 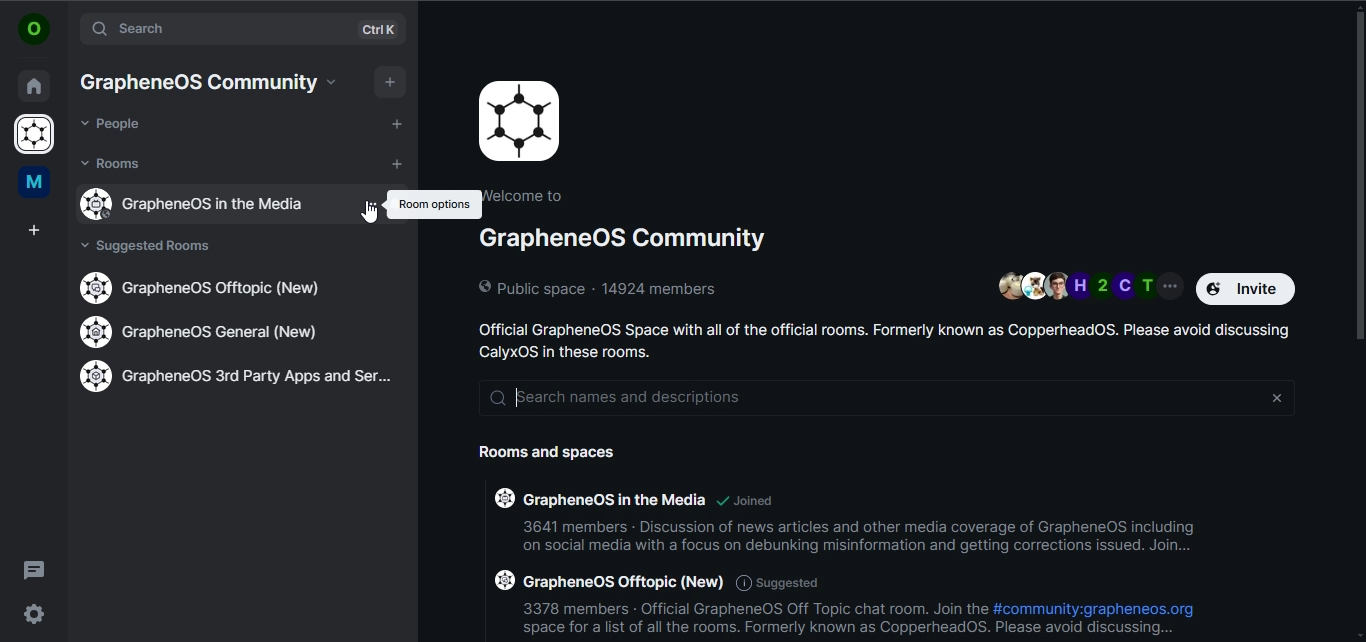 What do you see at coordinates (840, 631) in the screenshot?
I see `space for a list of all the rooms. Formerly known as CopperheadOS. Please avoid discussing...` at bounding box center [840, 631].